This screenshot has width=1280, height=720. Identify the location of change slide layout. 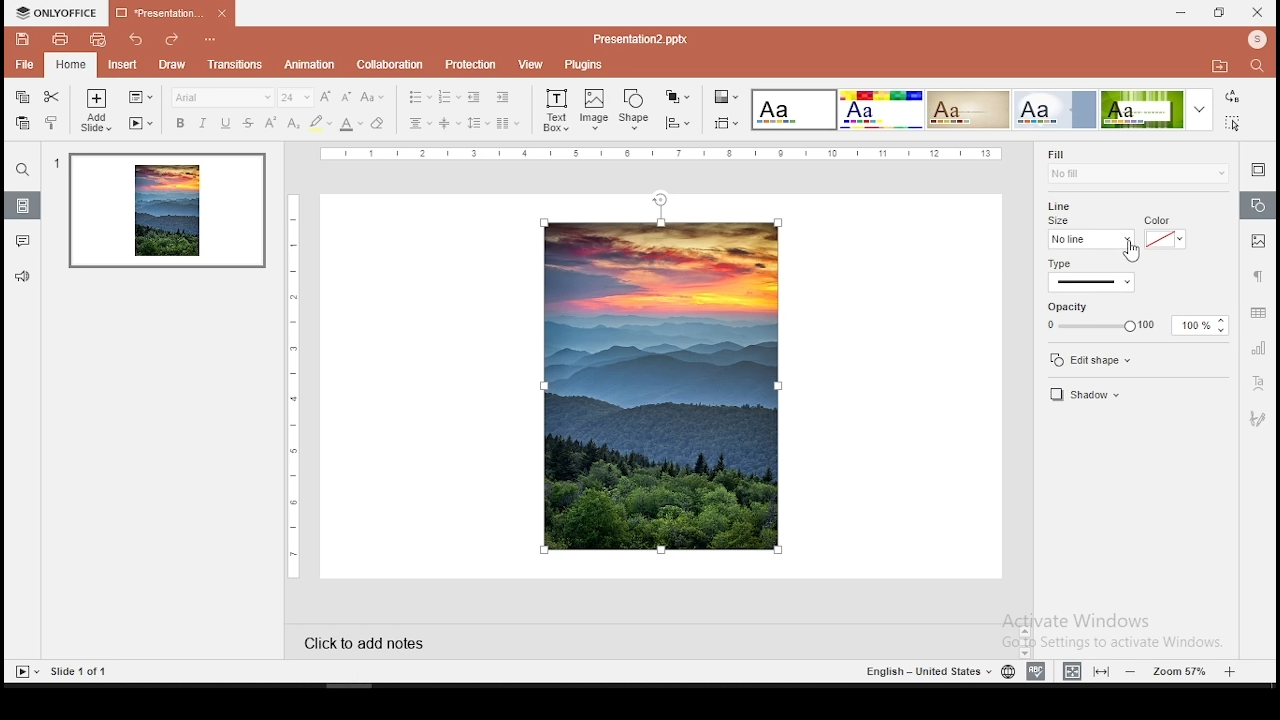
(139, 97).